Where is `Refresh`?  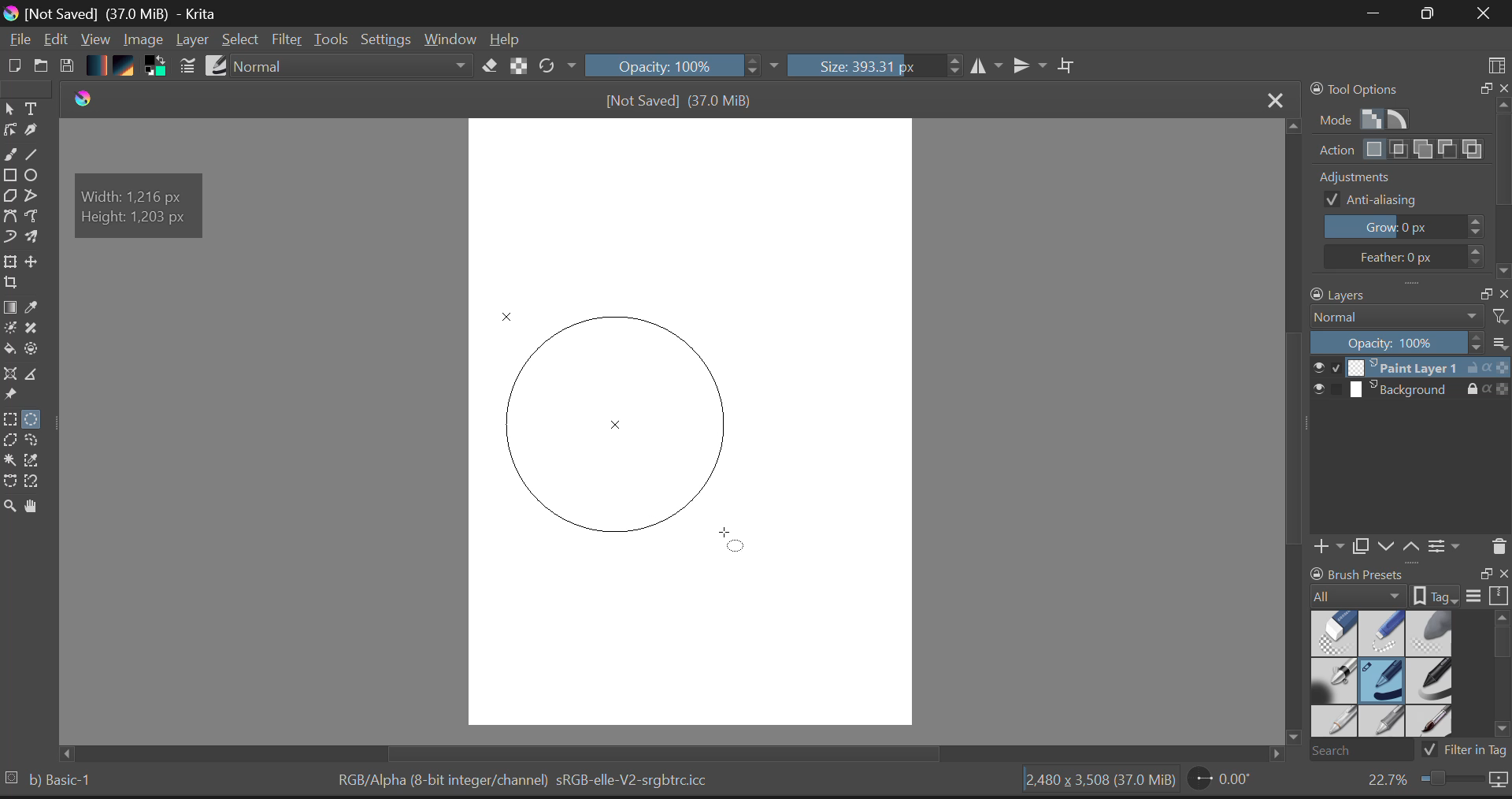
Refresh is located at coordinates (557, 67).